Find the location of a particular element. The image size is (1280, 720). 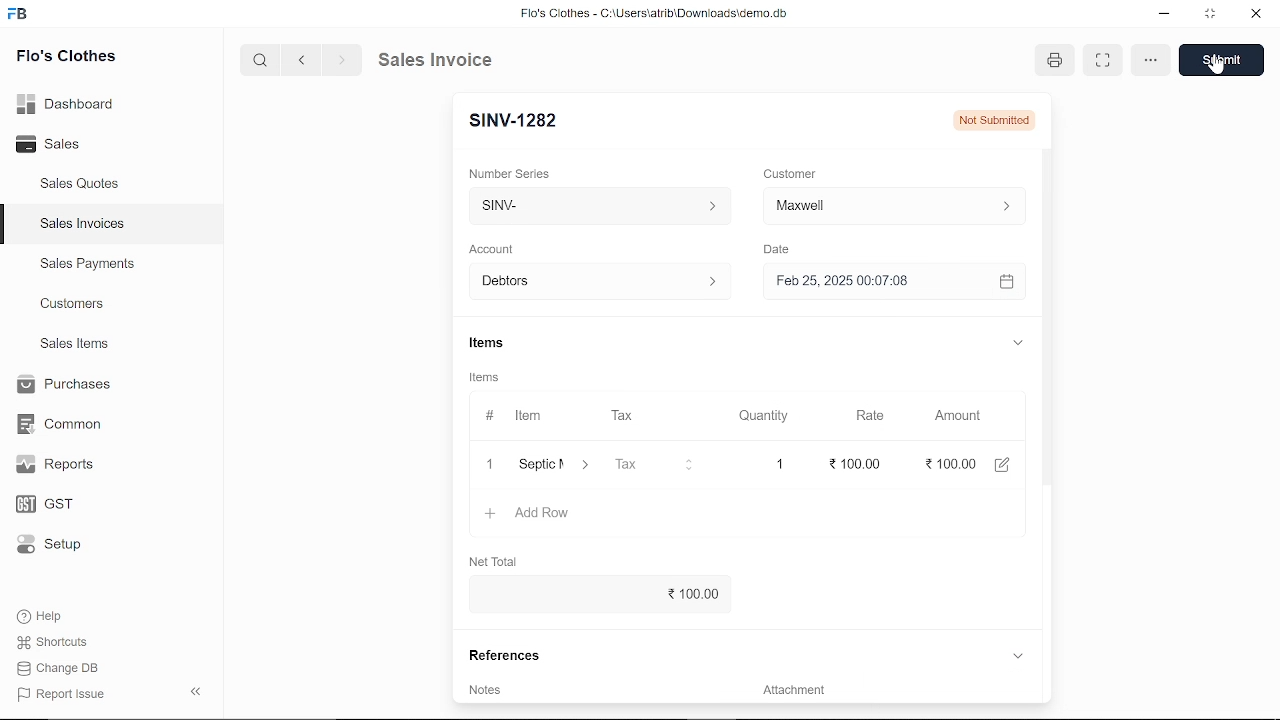

Rate is located at coordinates (850, 416).